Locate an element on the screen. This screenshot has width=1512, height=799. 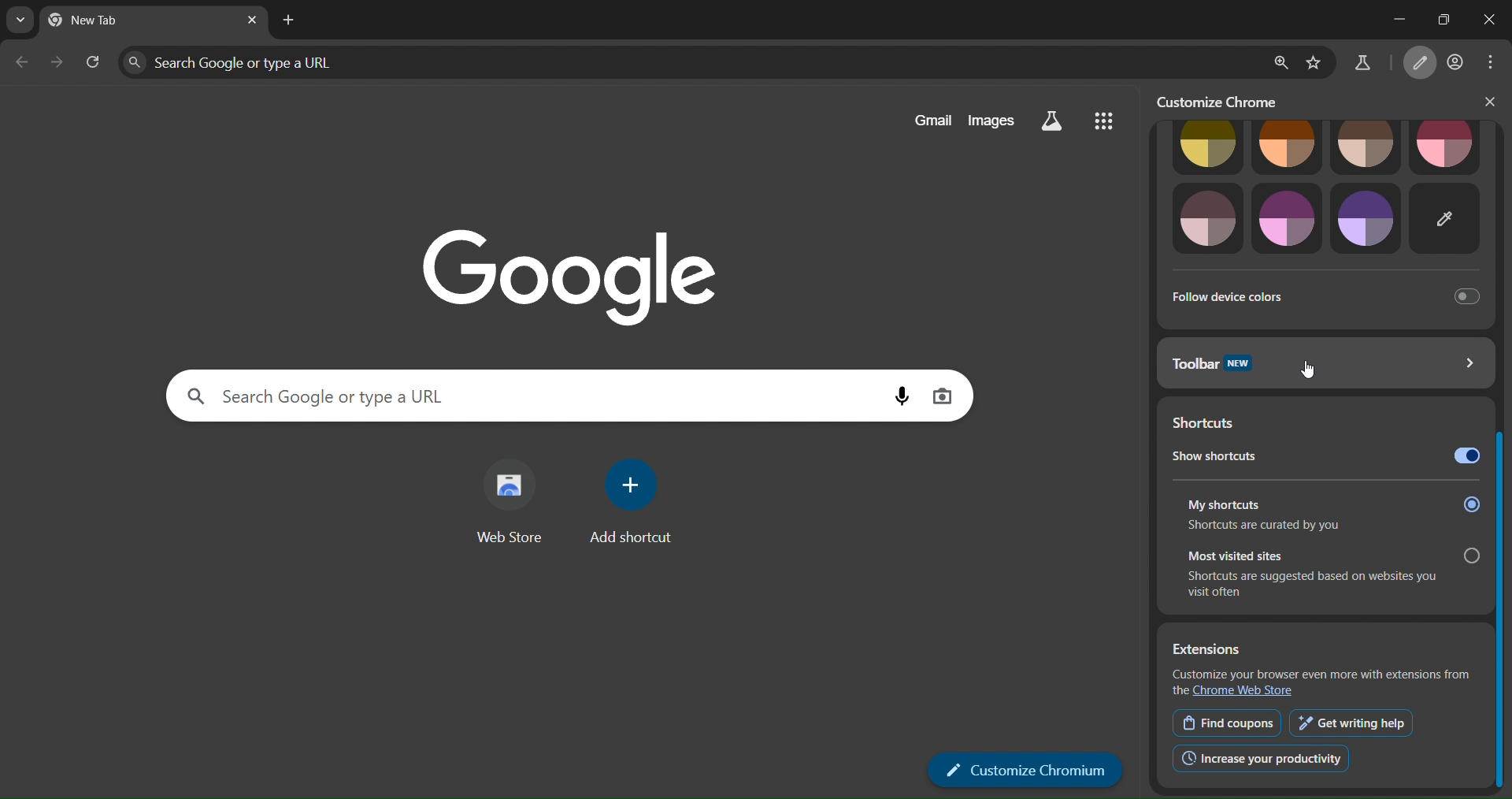
search panel is located at coordinates (690, 61).